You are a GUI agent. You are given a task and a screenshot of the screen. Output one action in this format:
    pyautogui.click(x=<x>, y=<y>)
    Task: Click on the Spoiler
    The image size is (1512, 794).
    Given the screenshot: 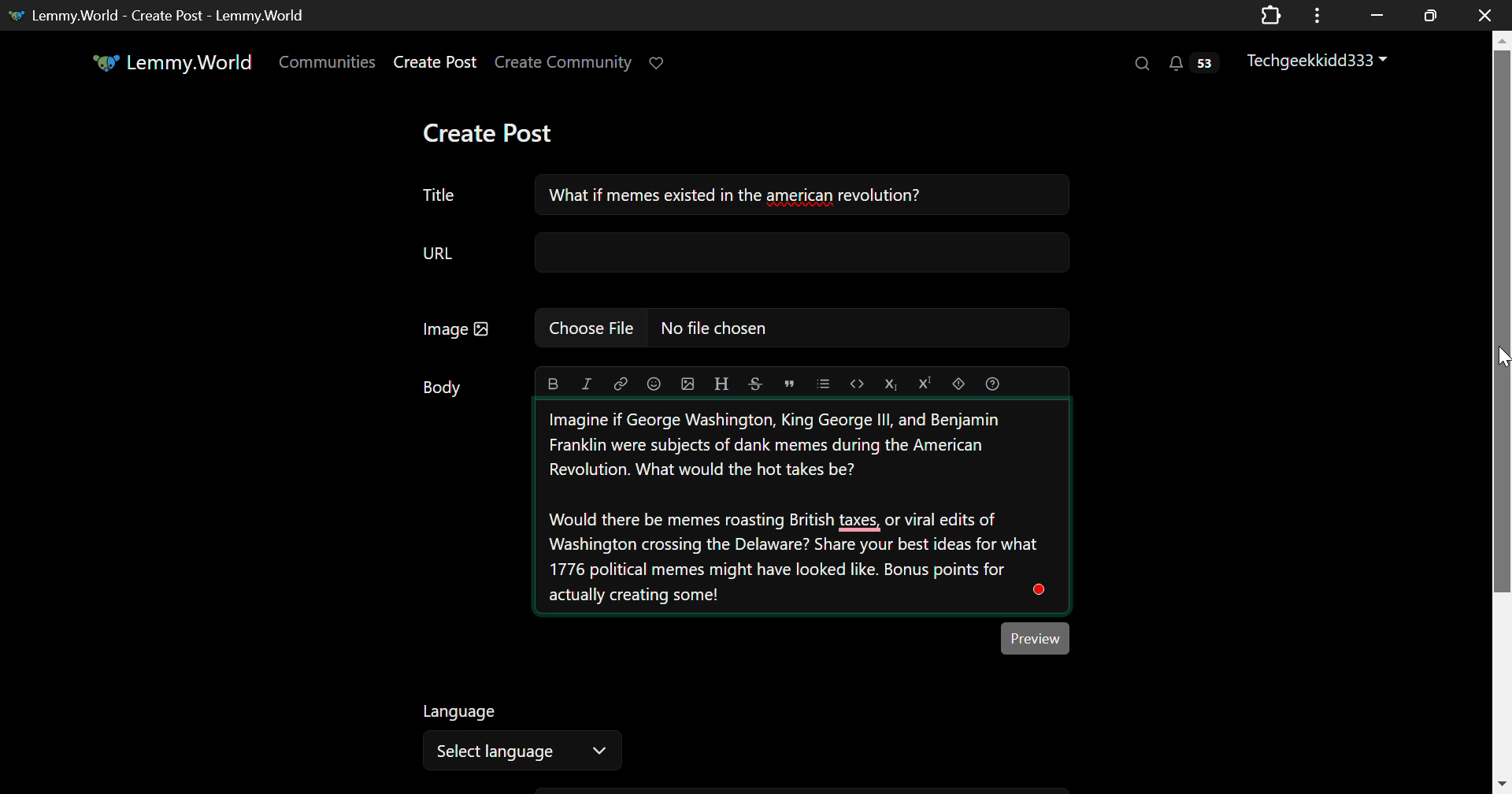 What is the action you would take?
    pyautogui.click(x=958, y=382)
    